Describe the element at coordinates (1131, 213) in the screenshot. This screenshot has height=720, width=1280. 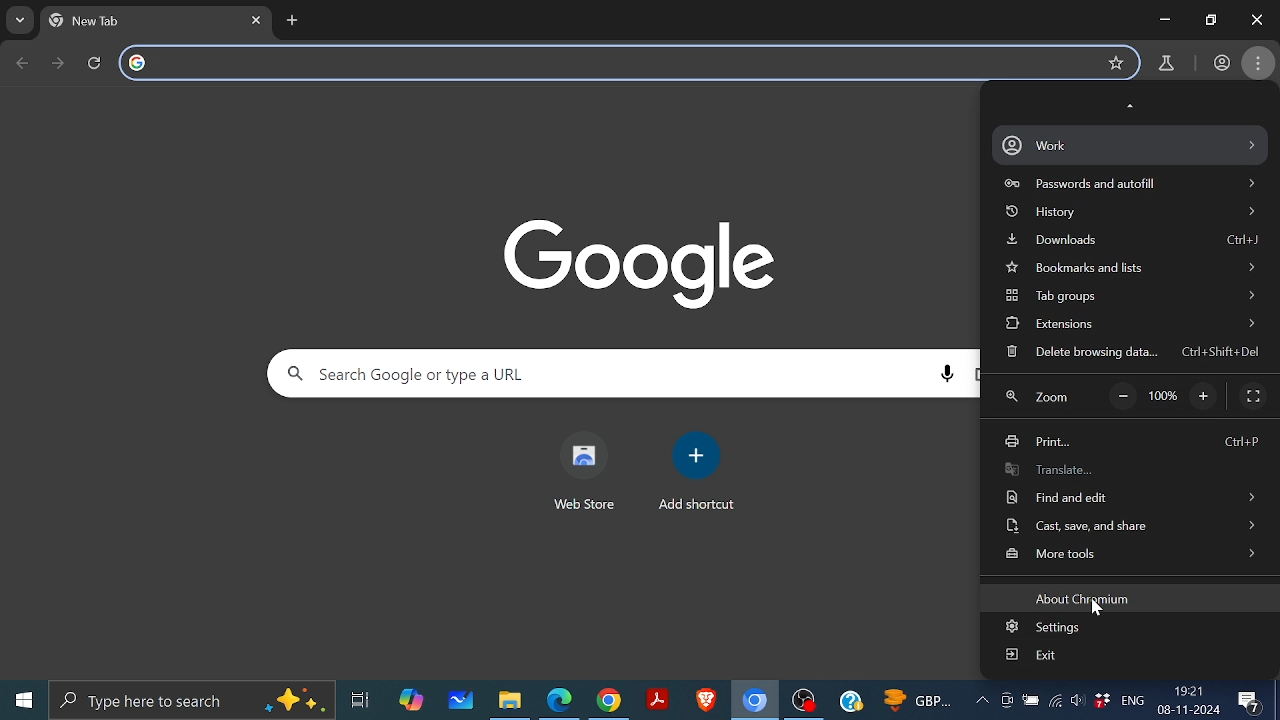
I see `history` at that location.